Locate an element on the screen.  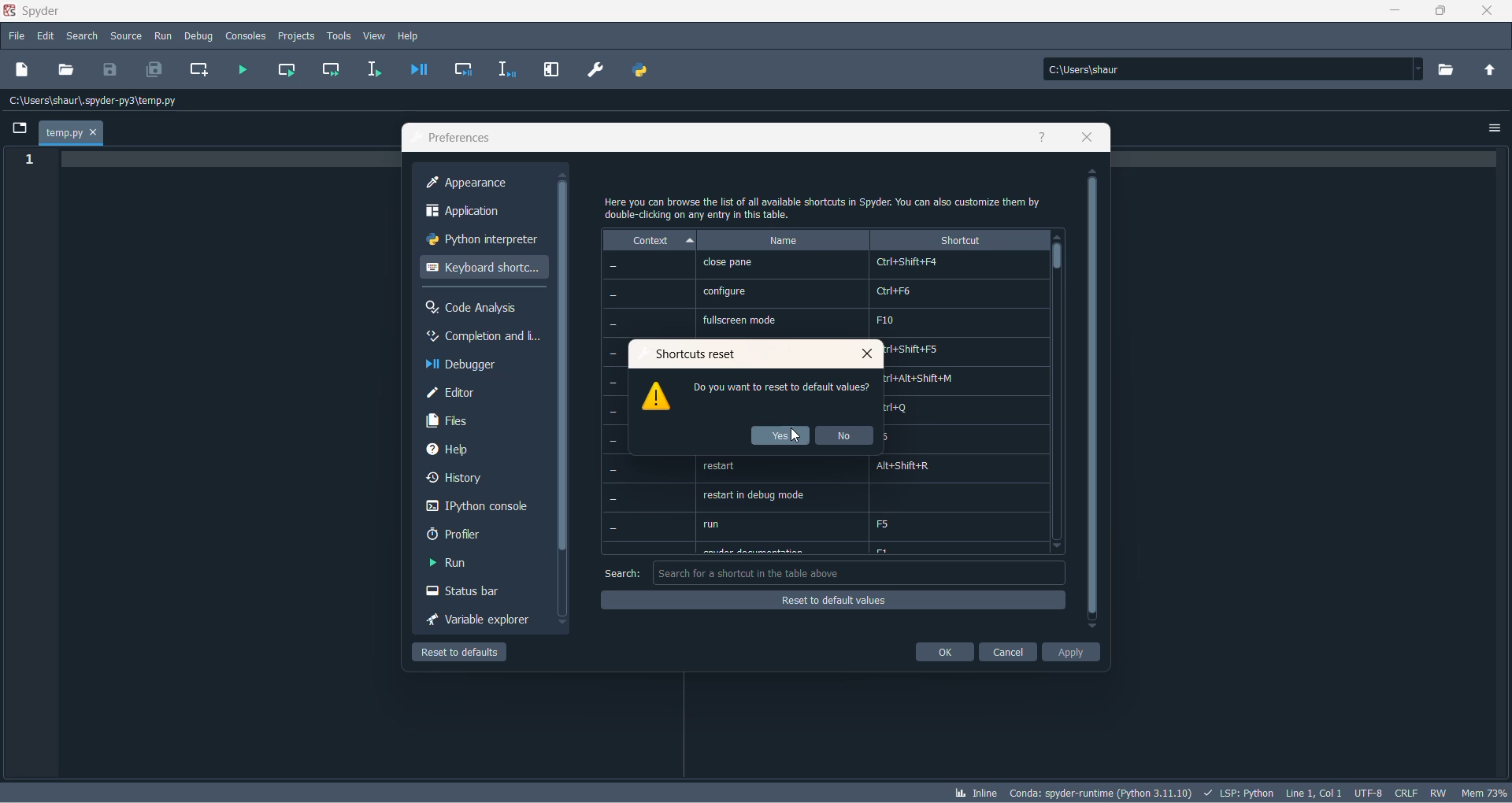
files is located at coordinates (476, 420).